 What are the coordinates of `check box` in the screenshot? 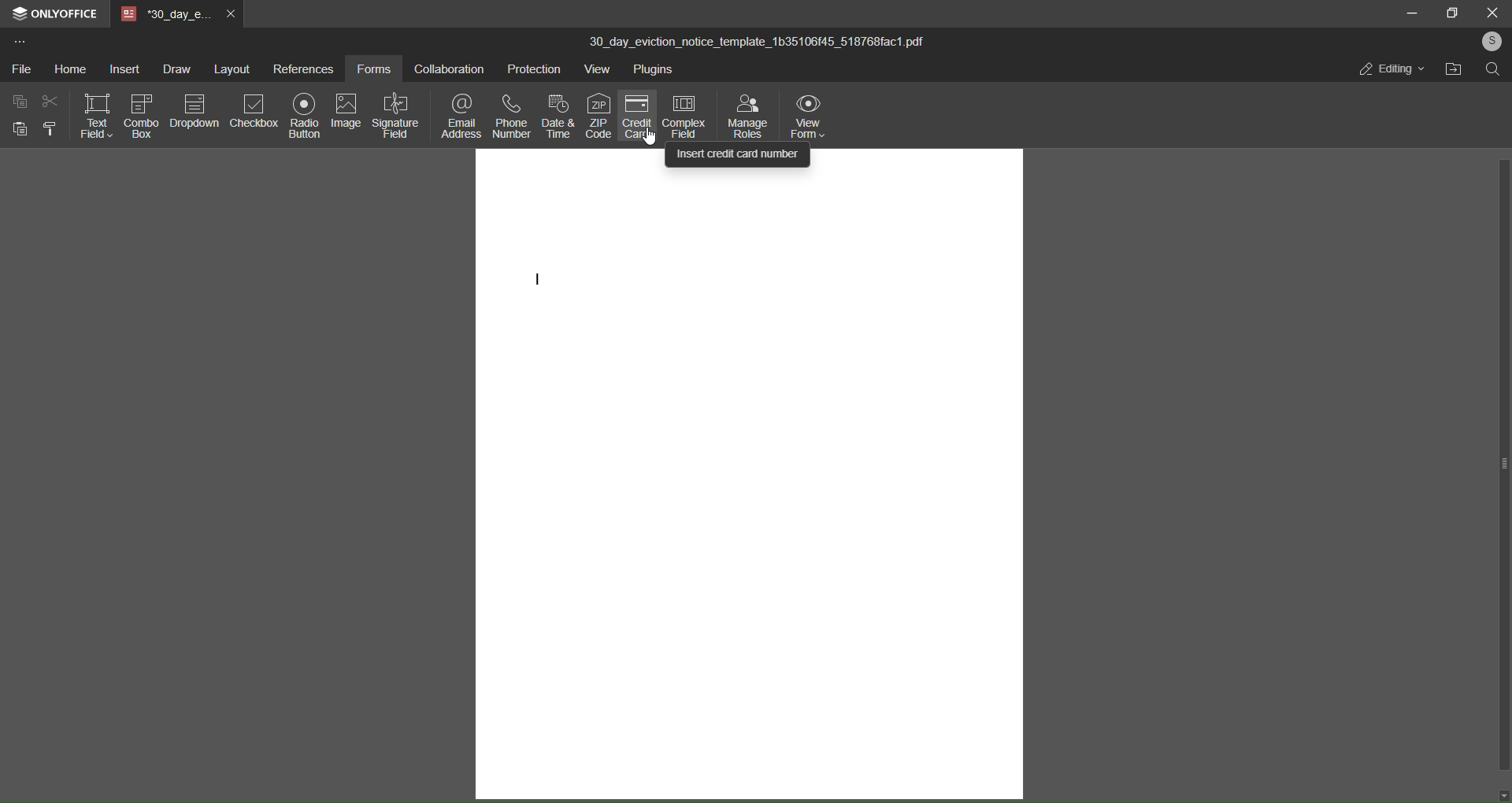 It's located at (140, 115).